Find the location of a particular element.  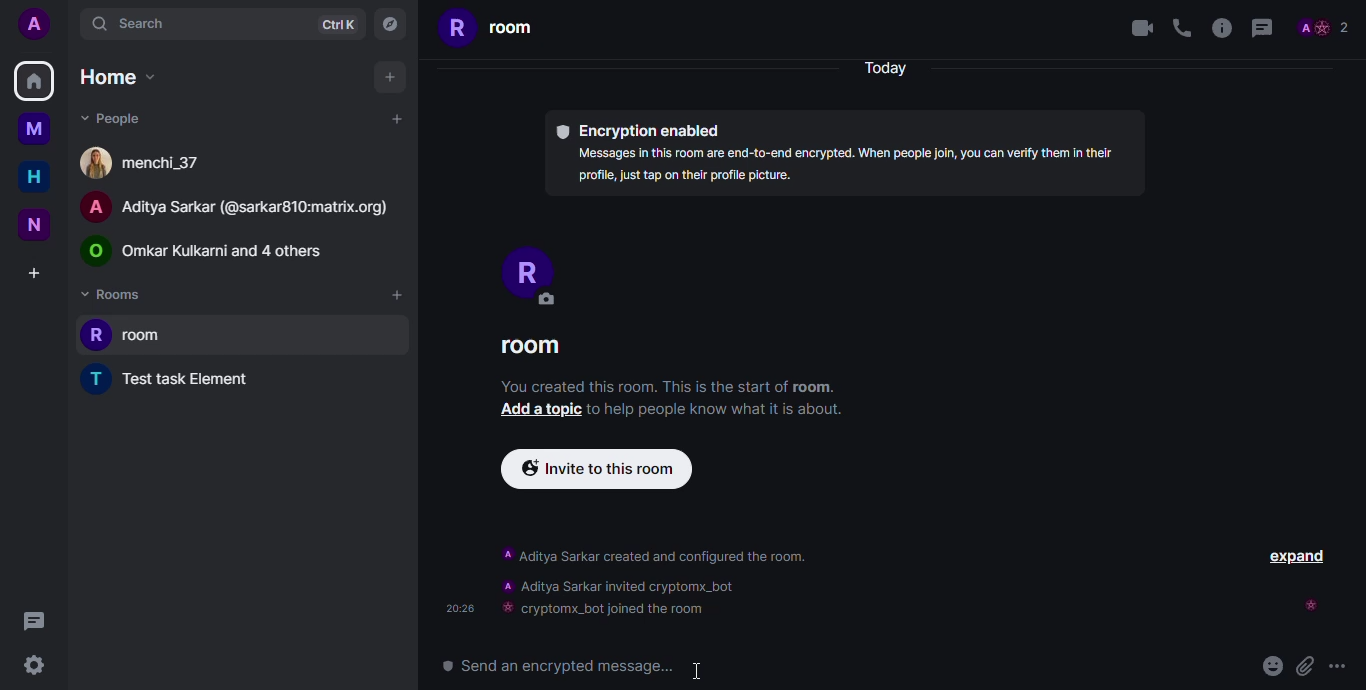

threads is located at coordinates (1270, 27).